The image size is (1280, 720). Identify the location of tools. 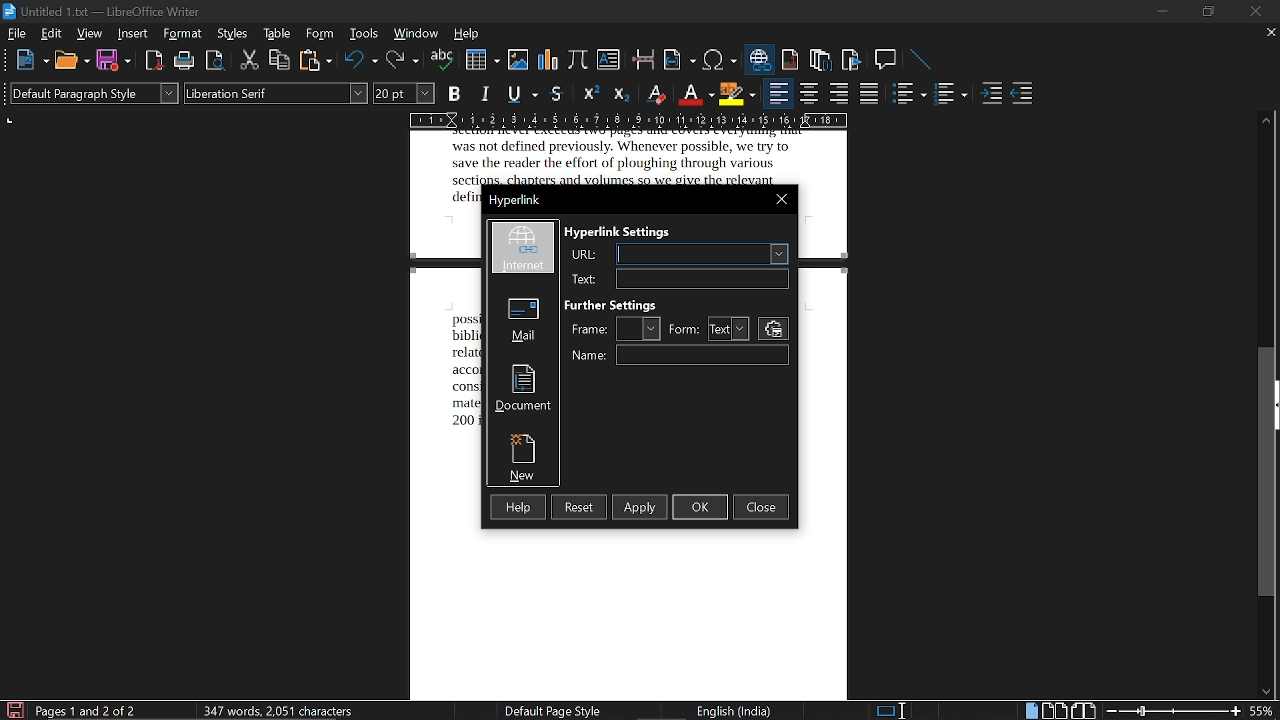
(366, 34).